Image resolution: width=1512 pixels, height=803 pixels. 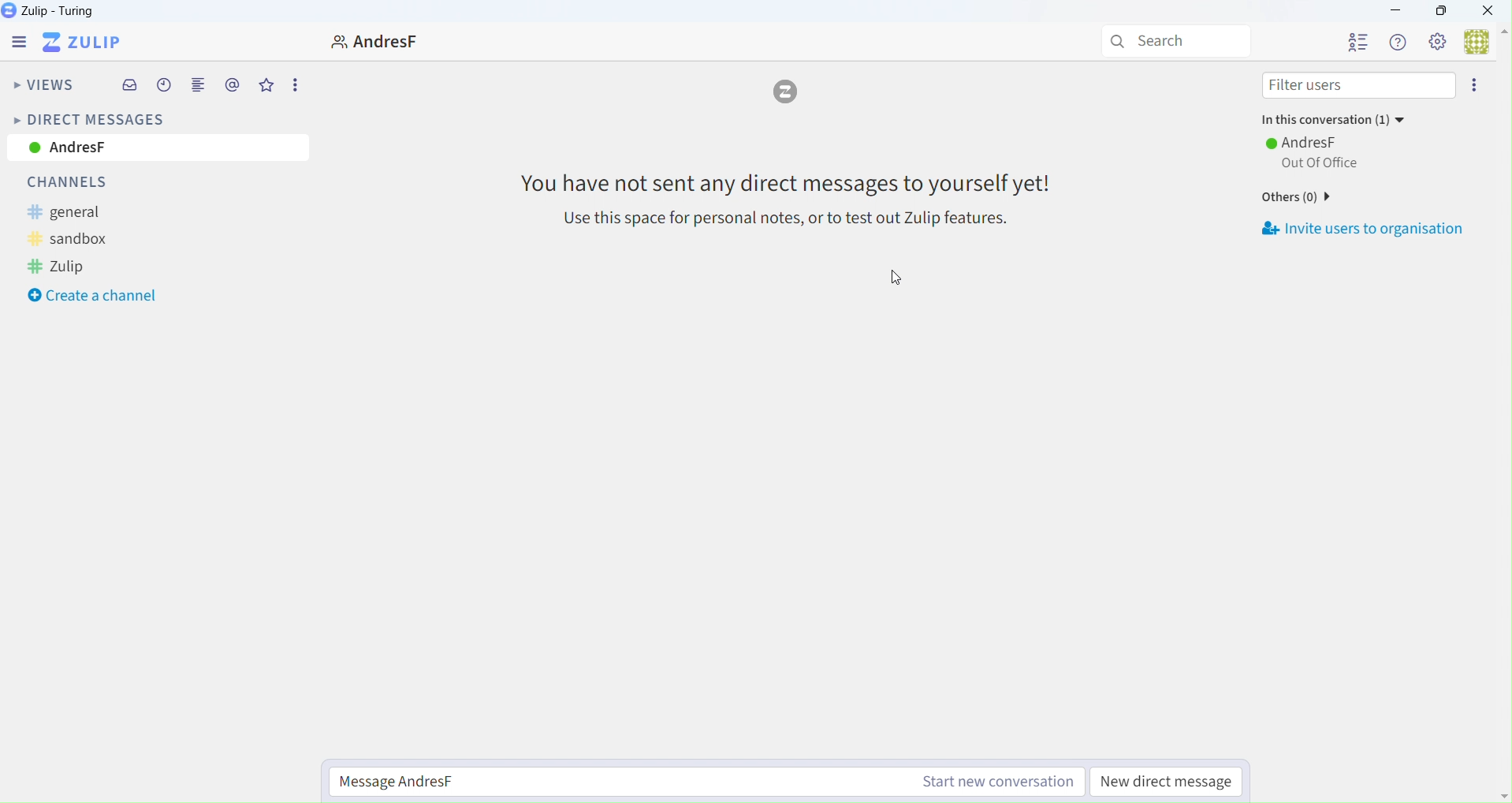 I want to click on Views, so click(x=43, y=87).